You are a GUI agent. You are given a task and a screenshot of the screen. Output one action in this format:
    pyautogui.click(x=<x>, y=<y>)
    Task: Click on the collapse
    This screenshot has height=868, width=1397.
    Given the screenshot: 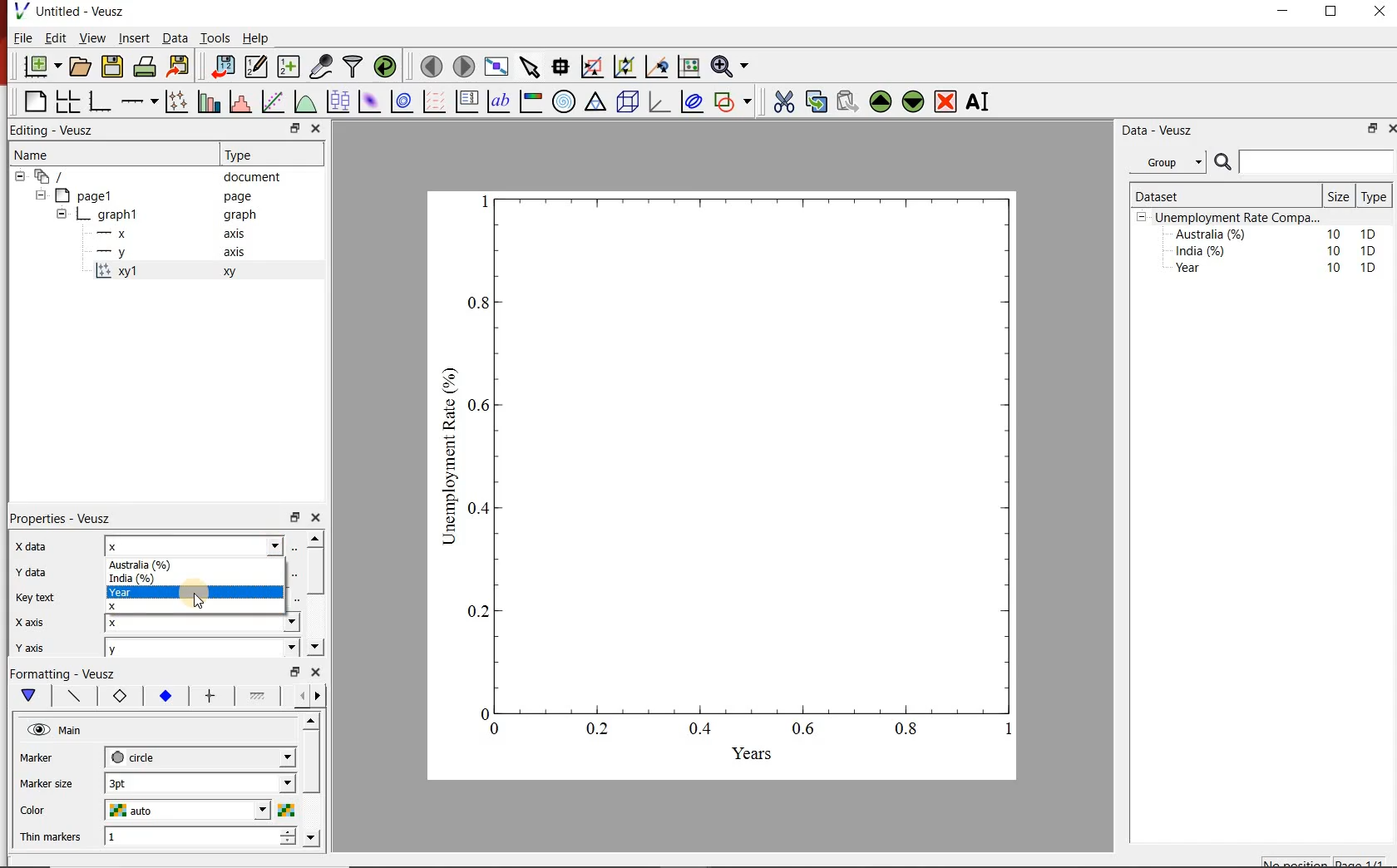 What is the action you would take?
    pyautogui.click(x=40, y=195)
    